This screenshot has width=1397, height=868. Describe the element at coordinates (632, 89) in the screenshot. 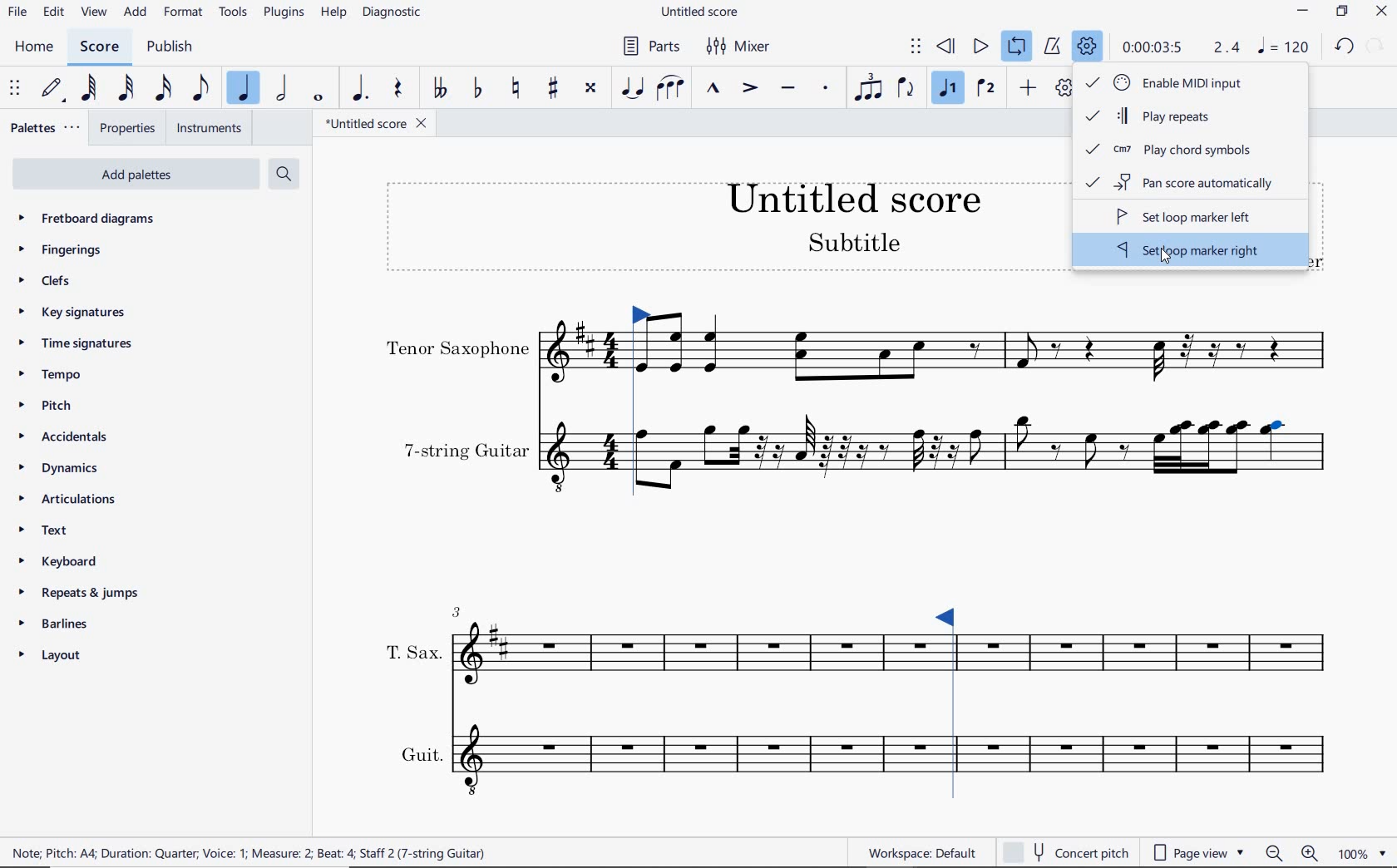

I see `TIE` at that location.